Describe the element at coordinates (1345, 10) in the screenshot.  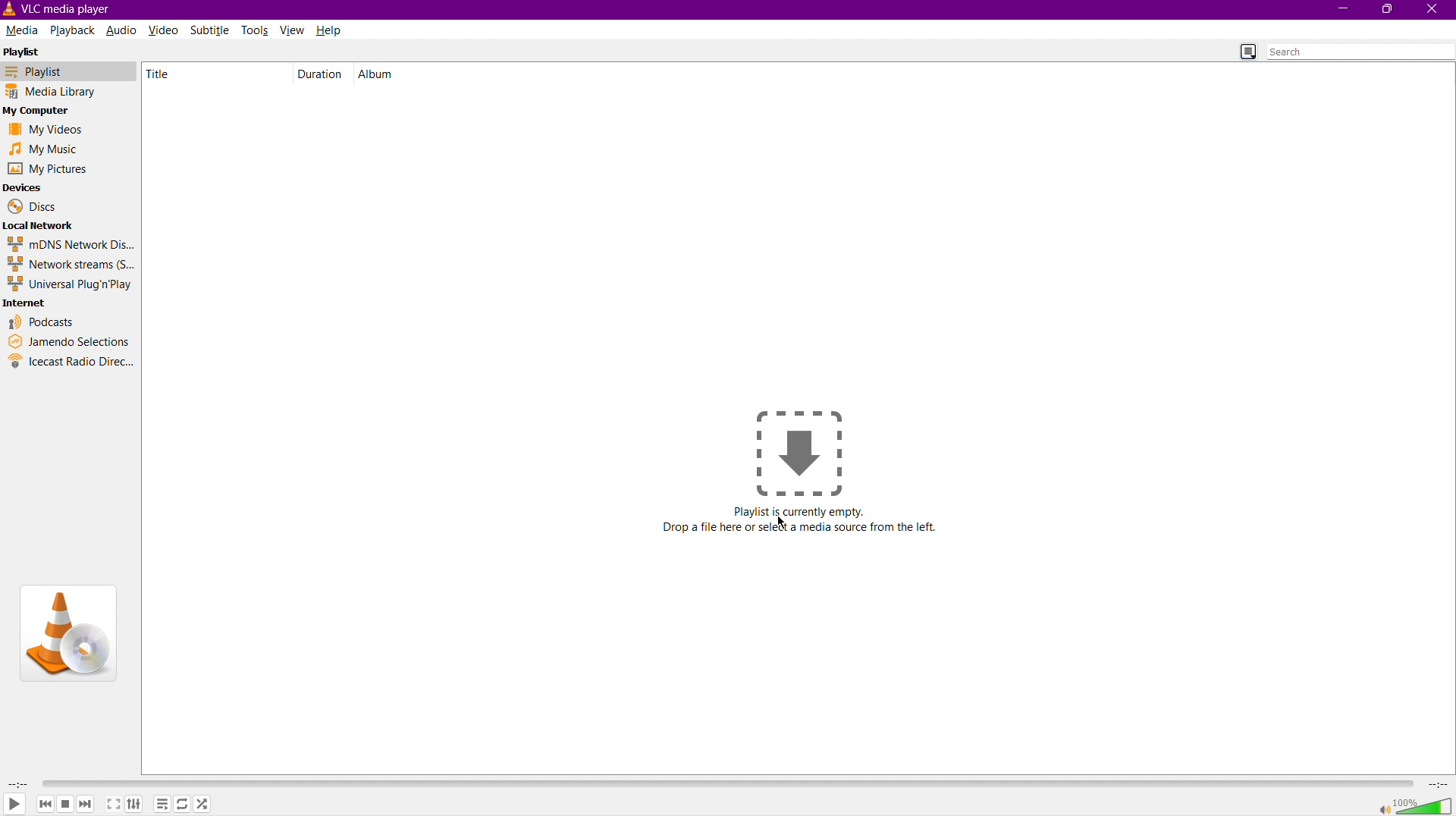
I see `Minimize` at that location.